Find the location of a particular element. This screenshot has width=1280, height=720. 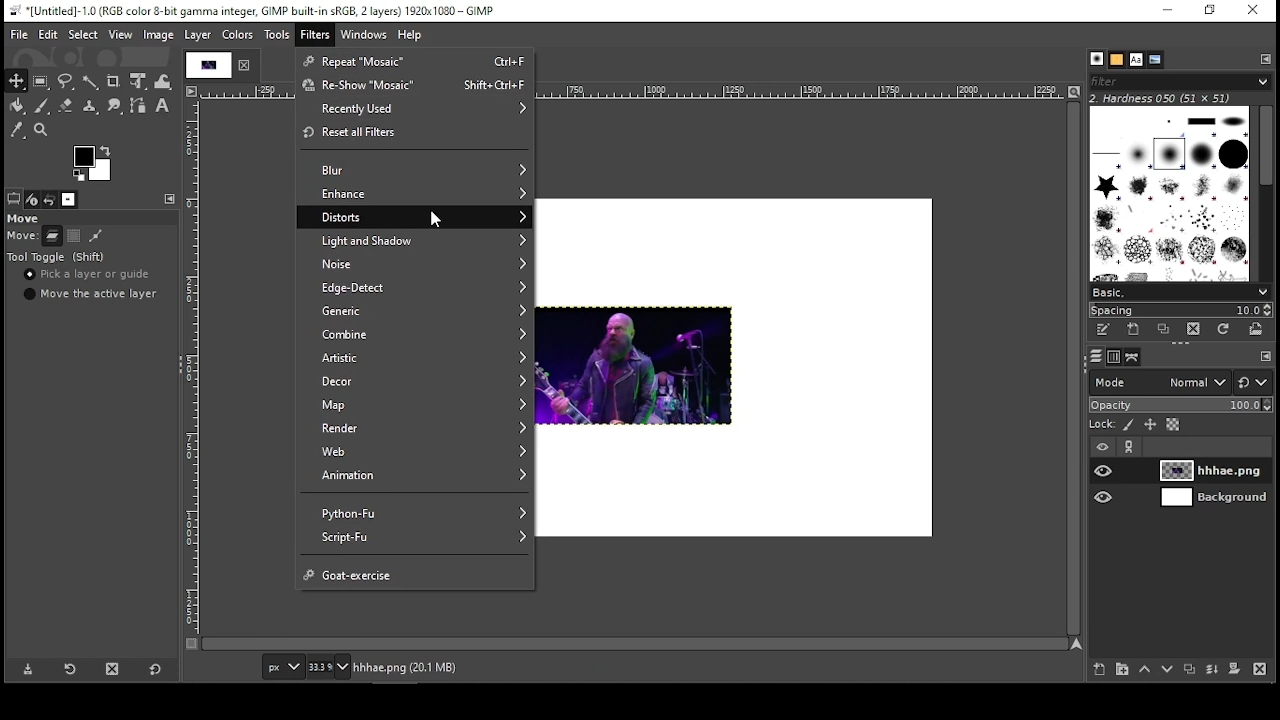

colors is located at coordinates (237, 35).